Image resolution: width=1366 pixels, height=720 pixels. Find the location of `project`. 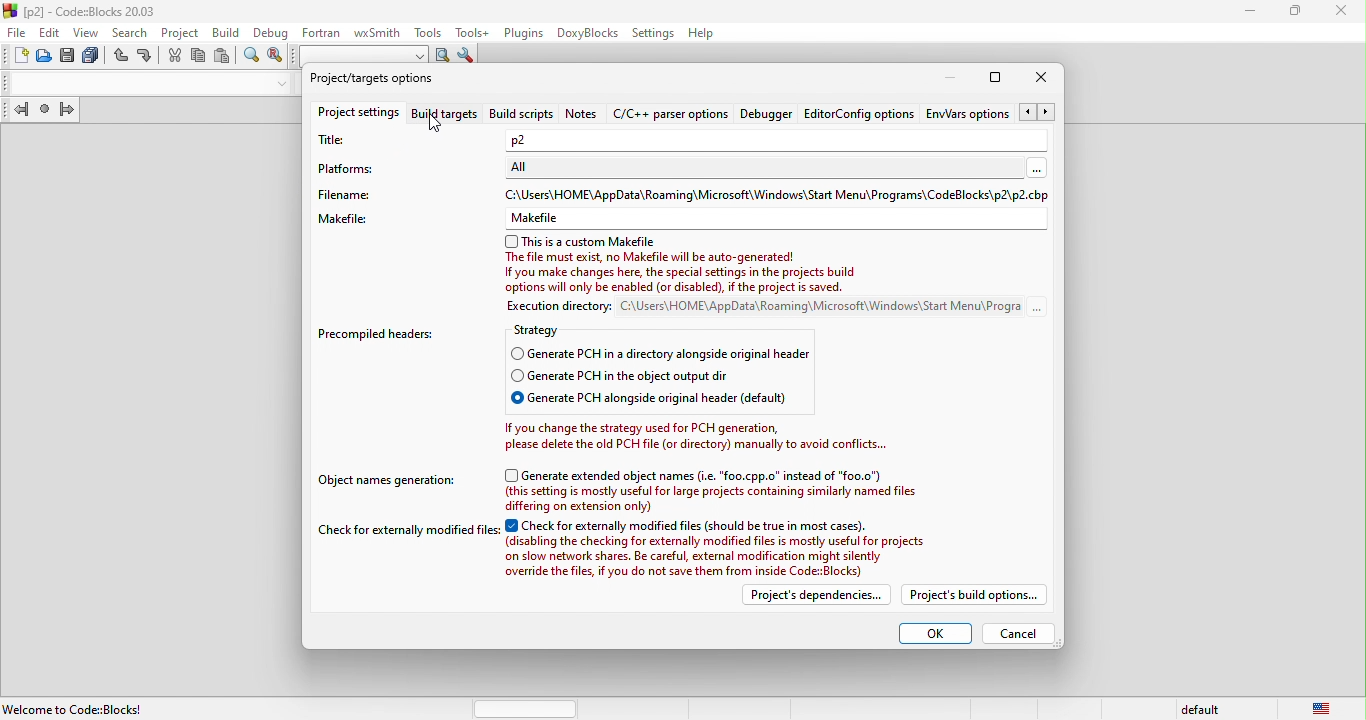

project is located at coordinates (179, 31).